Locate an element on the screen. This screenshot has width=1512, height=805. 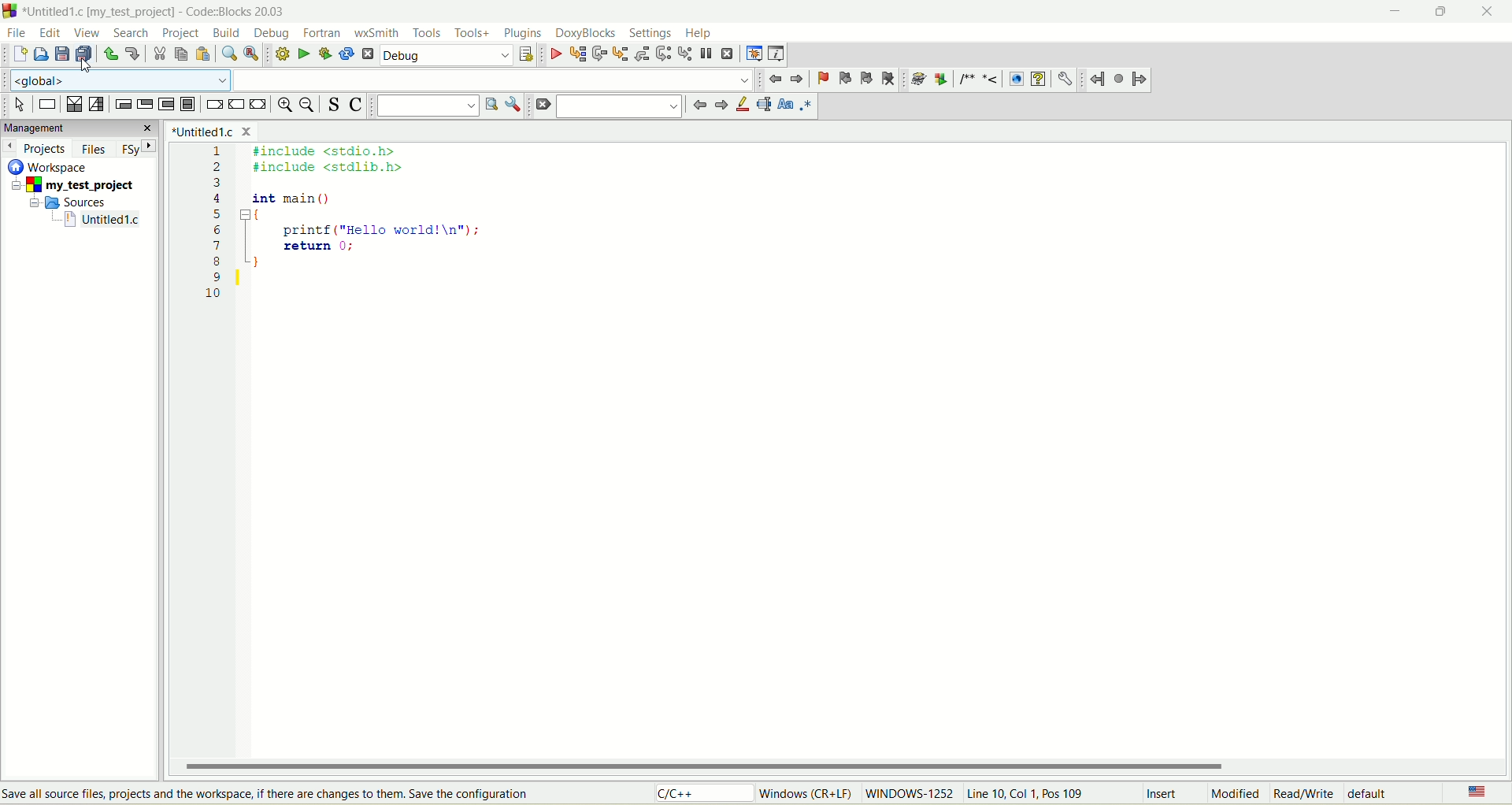
close is located at coordinates (1492, 12).